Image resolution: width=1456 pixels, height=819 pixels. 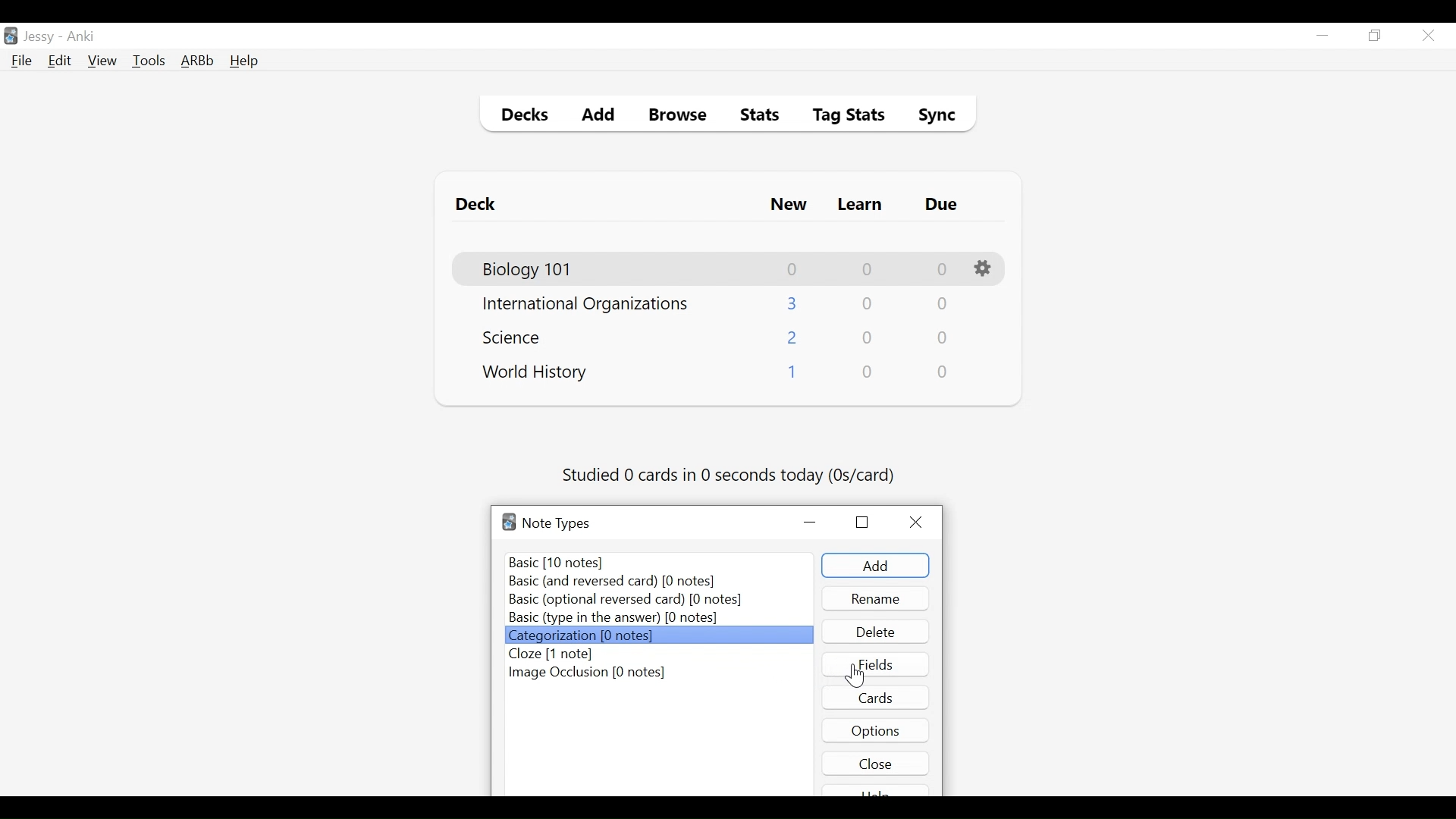 I want to click on Close, so click(x=920, y=522).